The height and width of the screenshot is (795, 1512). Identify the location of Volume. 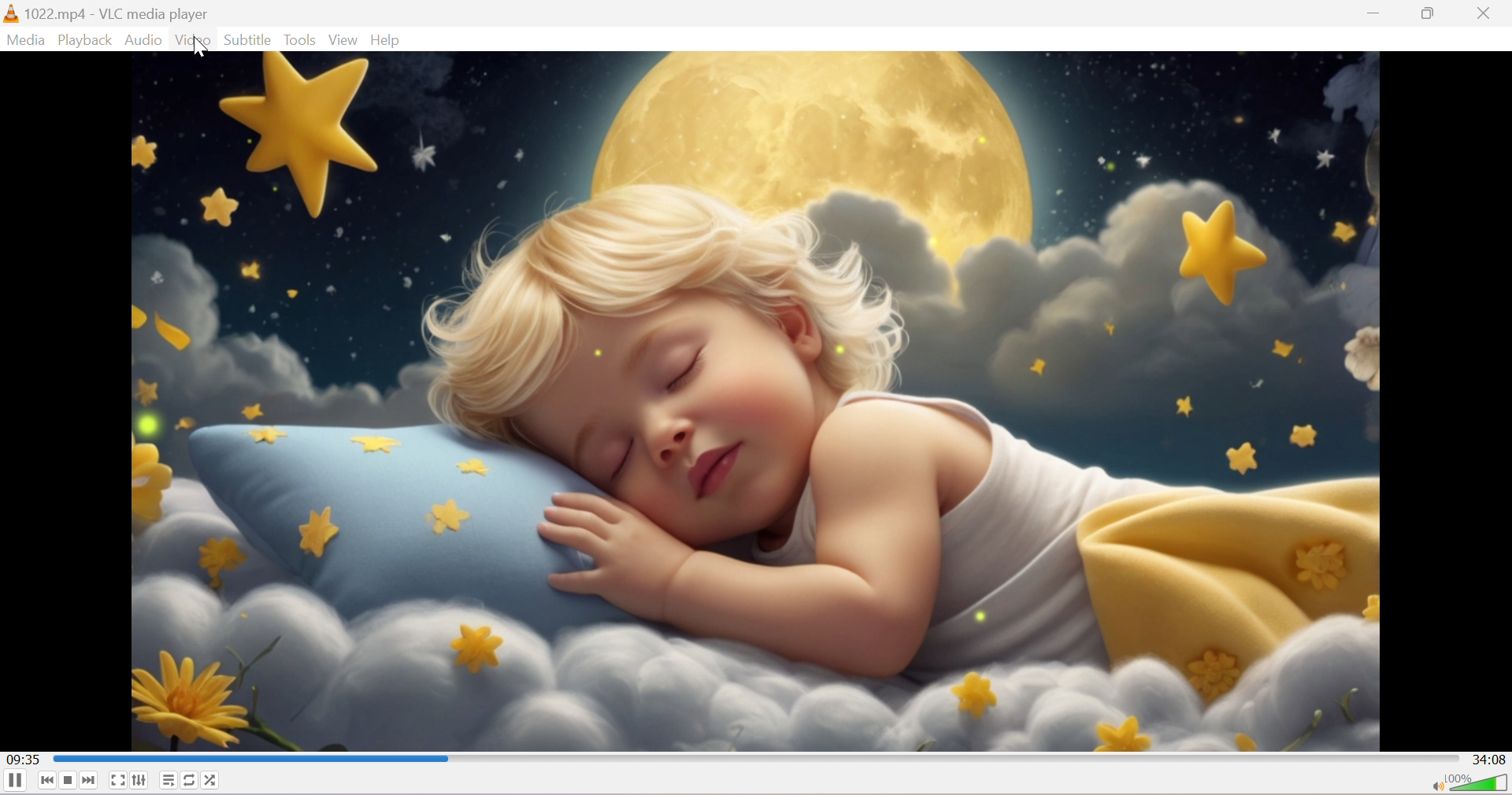
(1479, 784).